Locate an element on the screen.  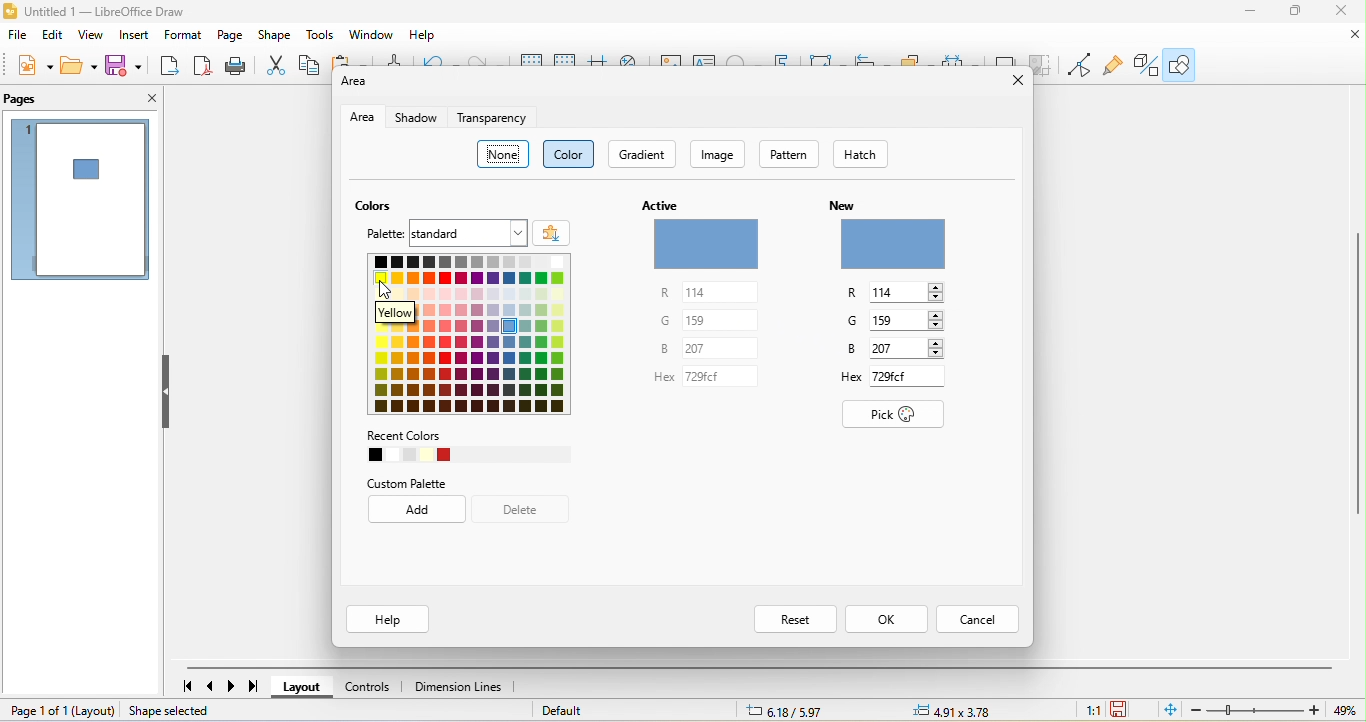
new is located at coordinates (893, 234).